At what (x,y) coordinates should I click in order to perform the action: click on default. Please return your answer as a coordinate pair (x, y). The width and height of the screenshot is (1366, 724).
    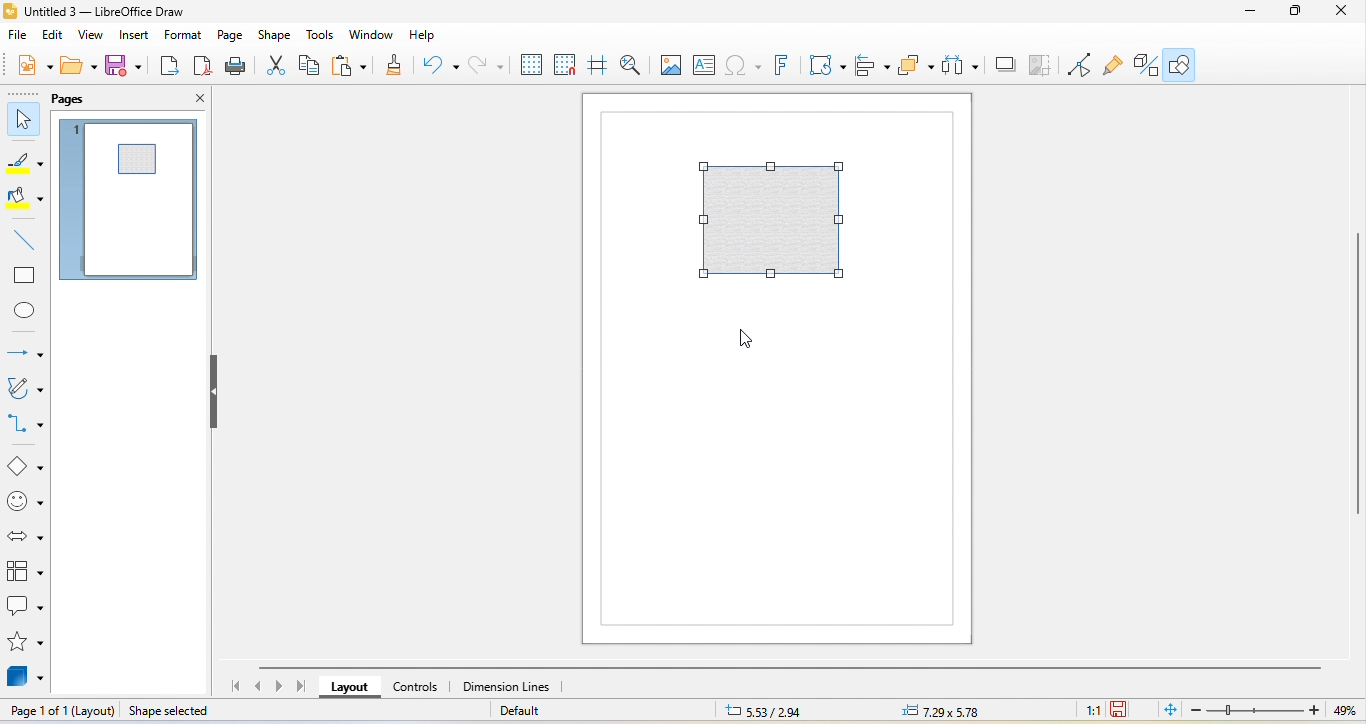
    Looking at the image, I should click on (549, 711).